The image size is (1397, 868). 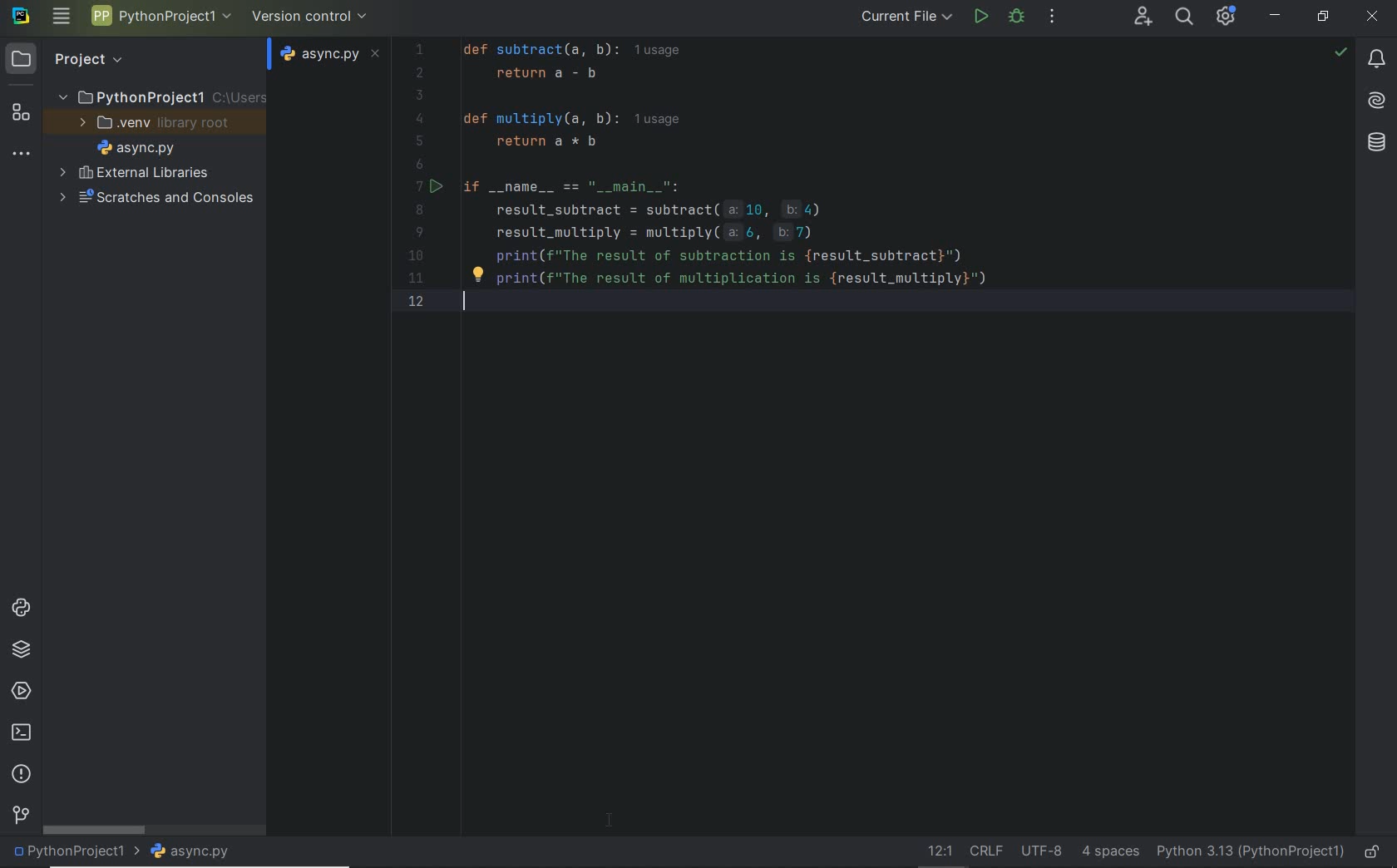 I want to click on more actions, so click(x=1053, y=18).